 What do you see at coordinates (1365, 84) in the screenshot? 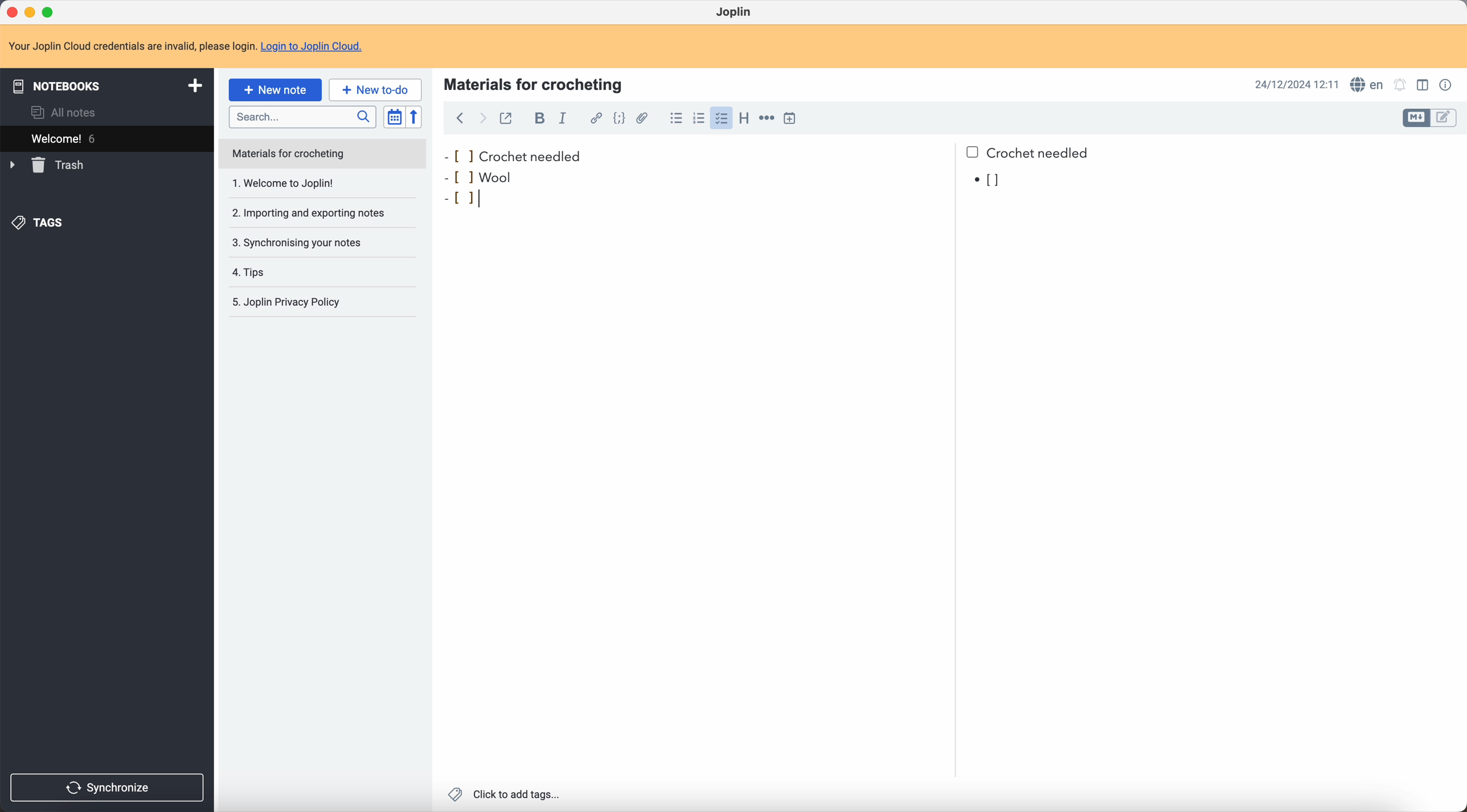
I see `spell checker` at bounding box center [1365, 84].